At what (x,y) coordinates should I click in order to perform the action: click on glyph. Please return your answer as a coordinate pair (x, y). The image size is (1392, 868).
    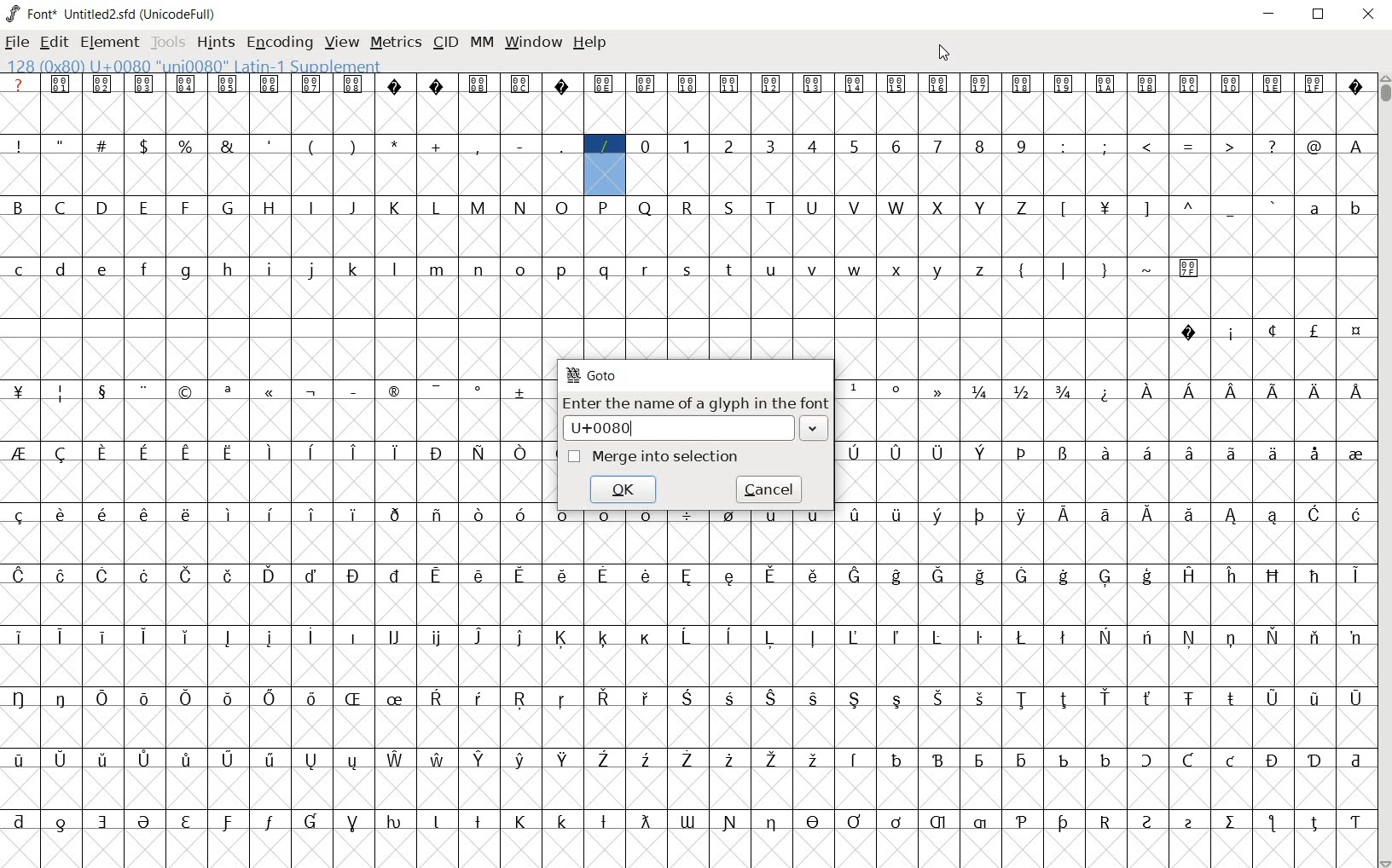
    Looking at the image, I should click on (1314, 209).